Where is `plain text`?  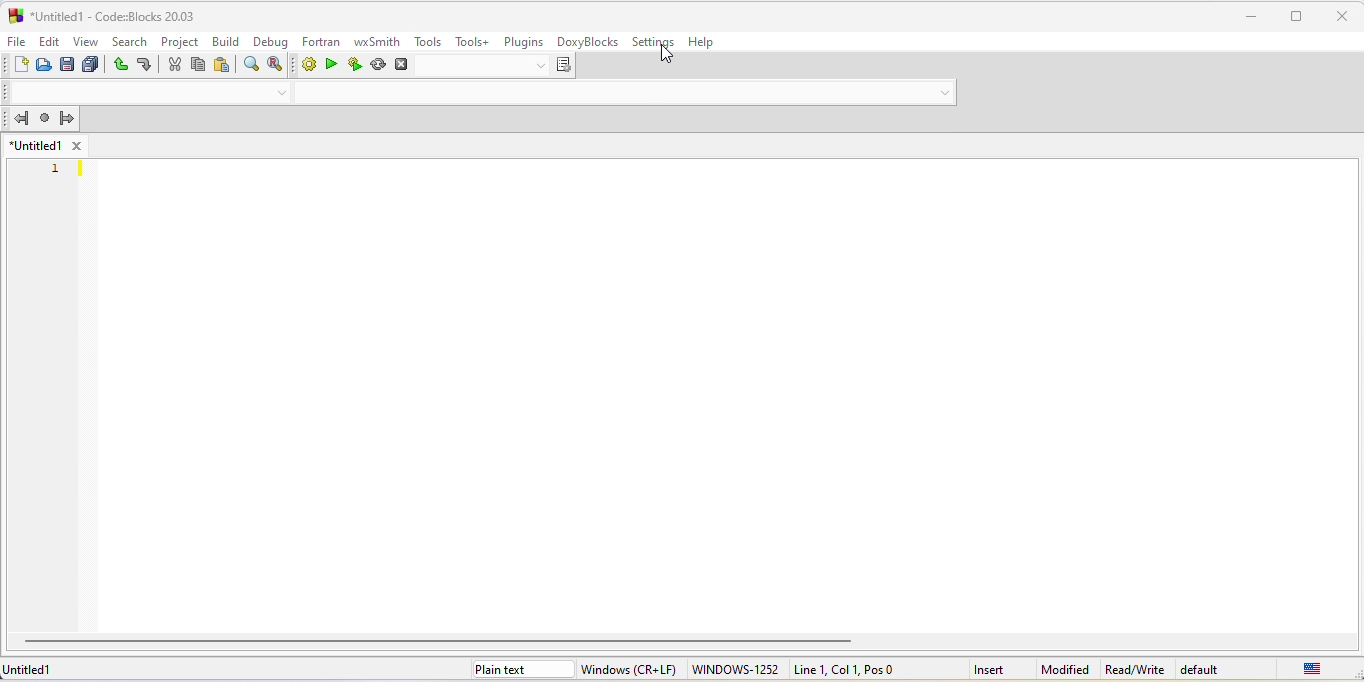
plain text is located at coordinates (523, 669).